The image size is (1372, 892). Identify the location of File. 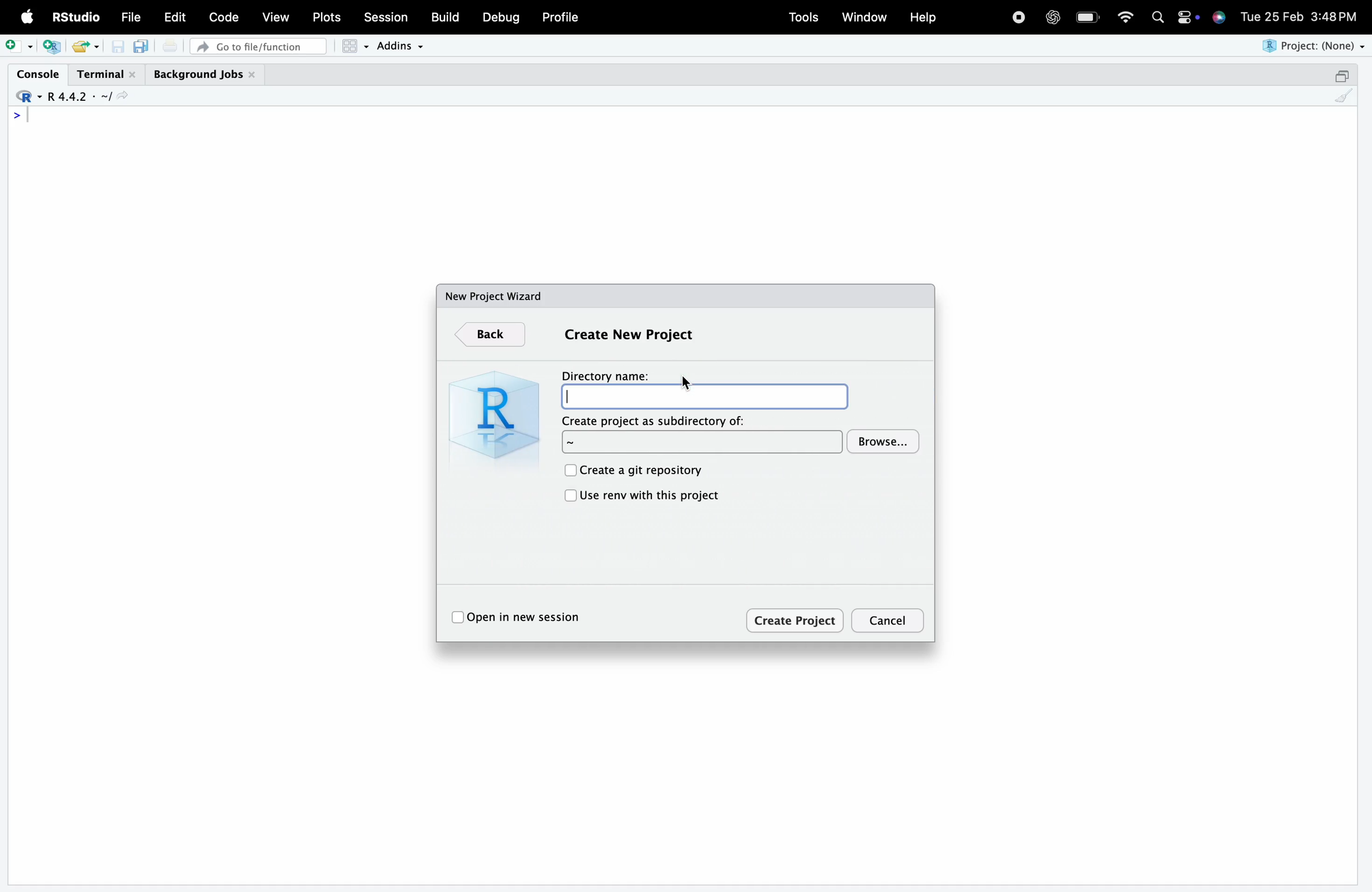
(131, 17).